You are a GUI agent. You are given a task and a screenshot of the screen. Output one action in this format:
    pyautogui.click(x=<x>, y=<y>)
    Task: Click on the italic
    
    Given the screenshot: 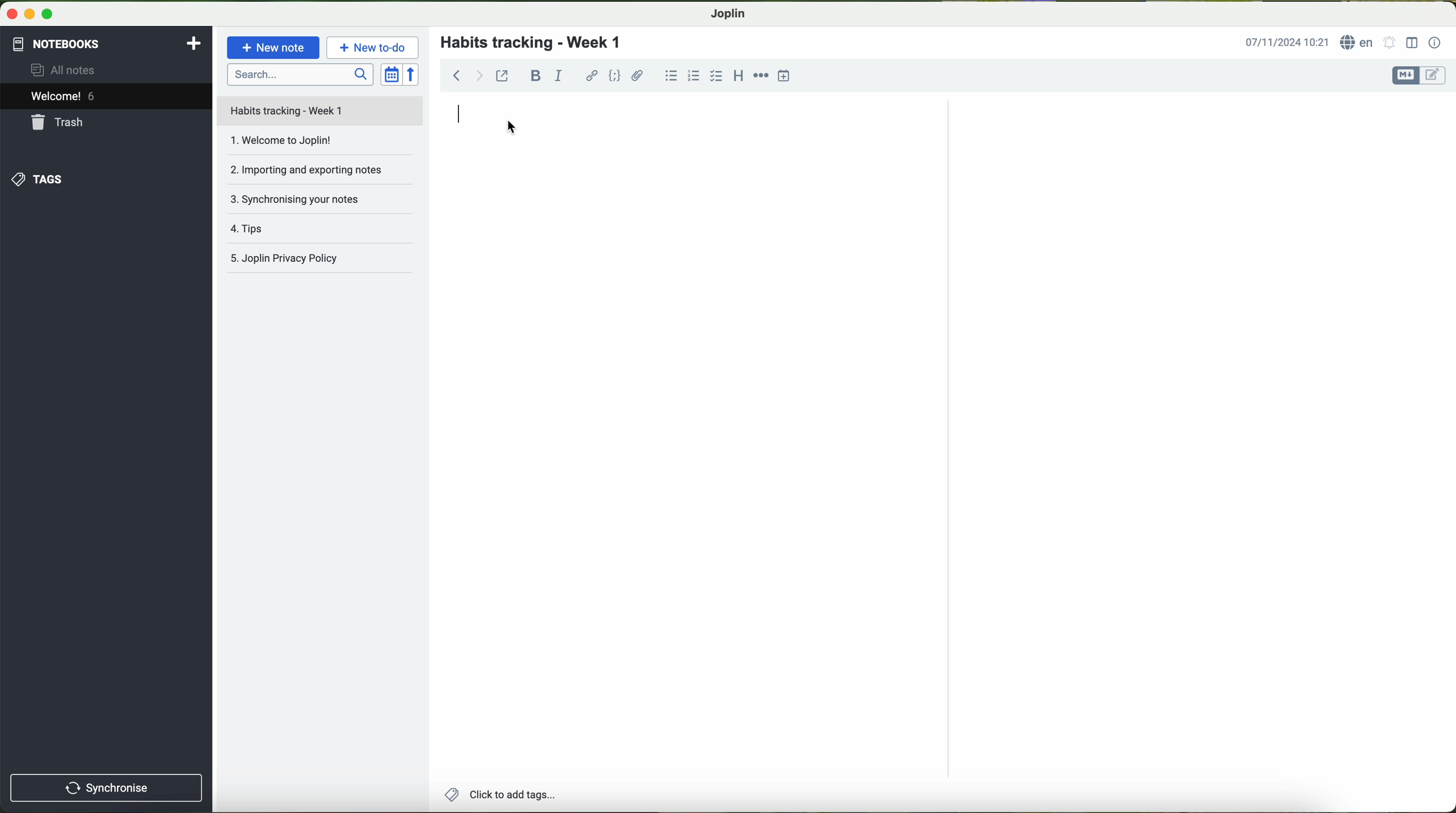 What is the action you would take?
    pyautogui.click(x=558, y=75)
    